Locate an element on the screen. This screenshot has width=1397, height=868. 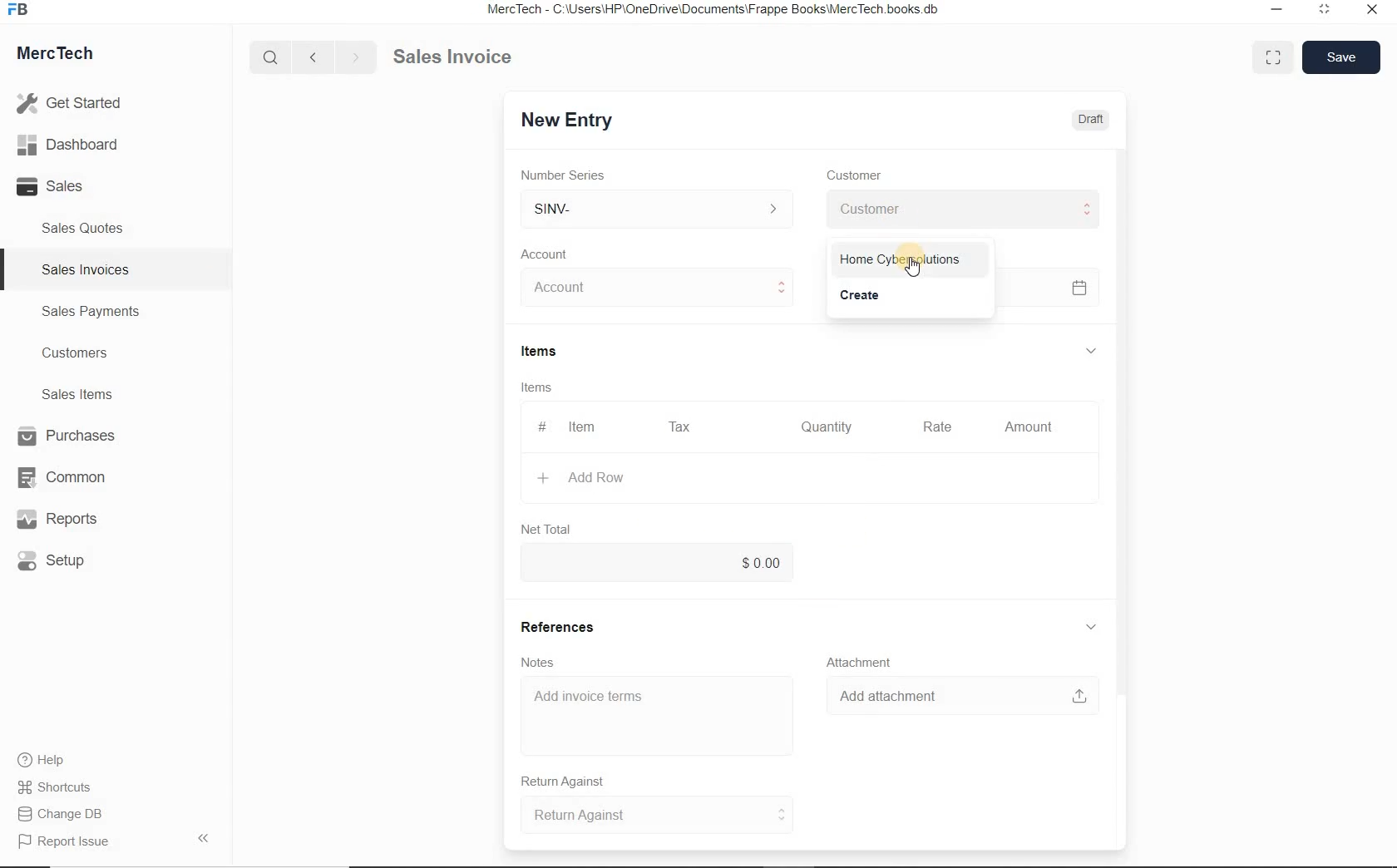
Customer is located at coordinates (961, 210).